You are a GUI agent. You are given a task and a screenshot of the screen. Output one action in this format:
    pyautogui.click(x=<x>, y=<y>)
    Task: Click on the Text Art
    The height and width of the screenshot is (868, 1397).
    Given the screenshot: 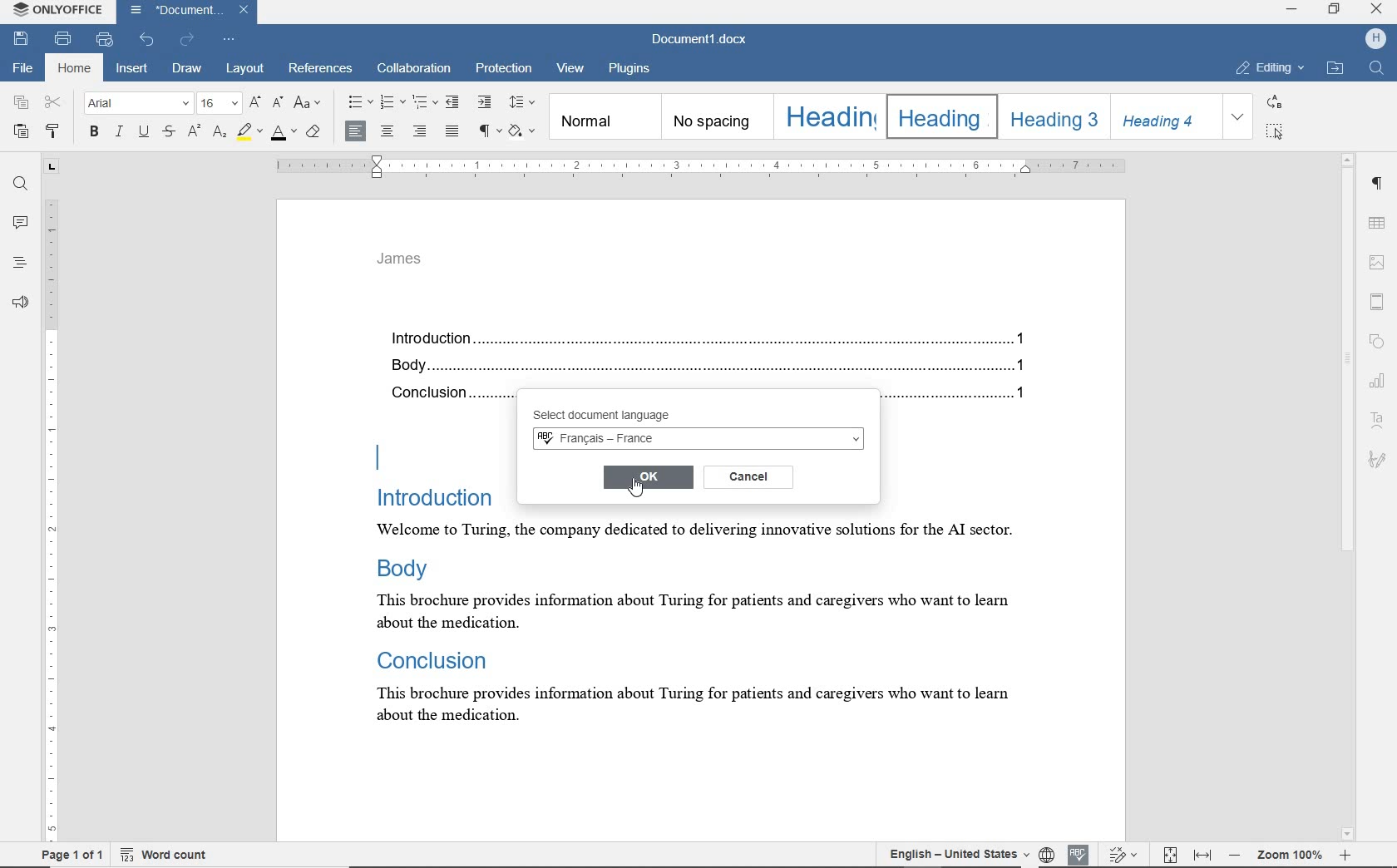 What is the action you would take?
    pyautogui.click(x=1379, y=421)
    